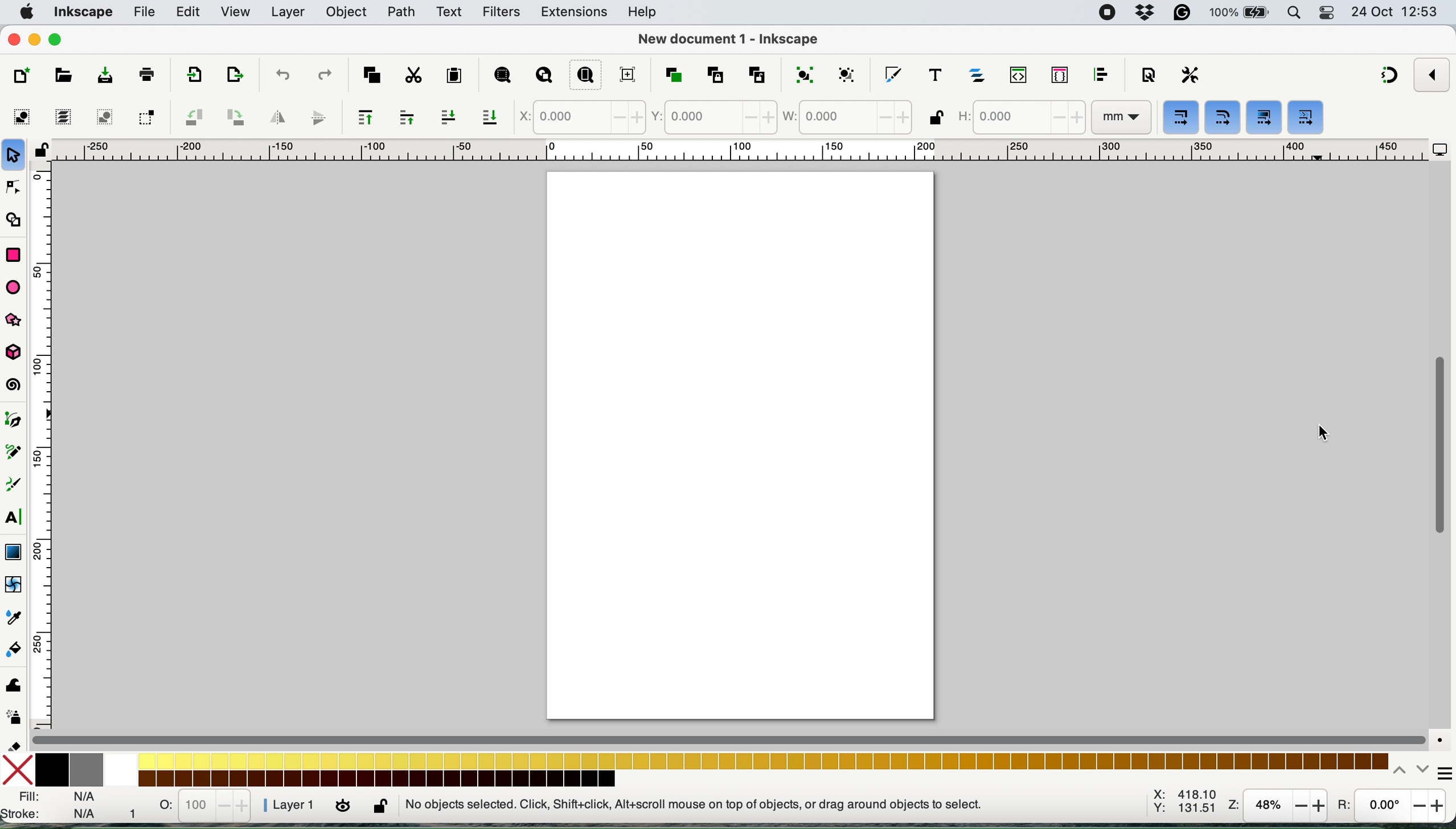 This screenshot has height=829, width=1456. I want to click on color managed mode, so click(1442, 738).